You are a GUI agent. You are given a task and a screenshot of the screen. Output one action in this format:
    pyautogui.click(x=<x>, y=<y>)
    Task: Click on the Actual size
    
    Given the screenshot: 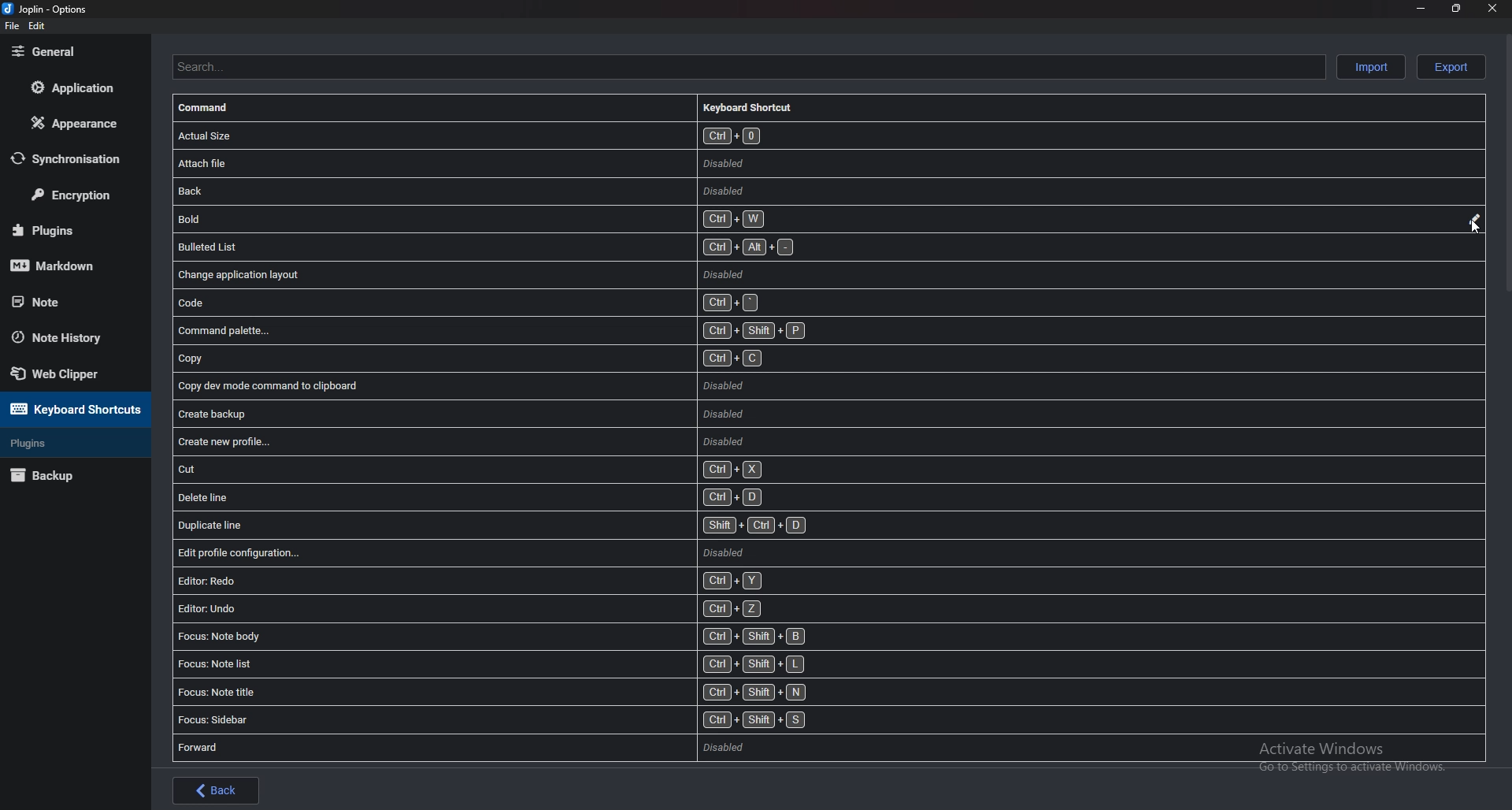 What is the action you would take?
    pyautogui.click(x=654, y=136)
    